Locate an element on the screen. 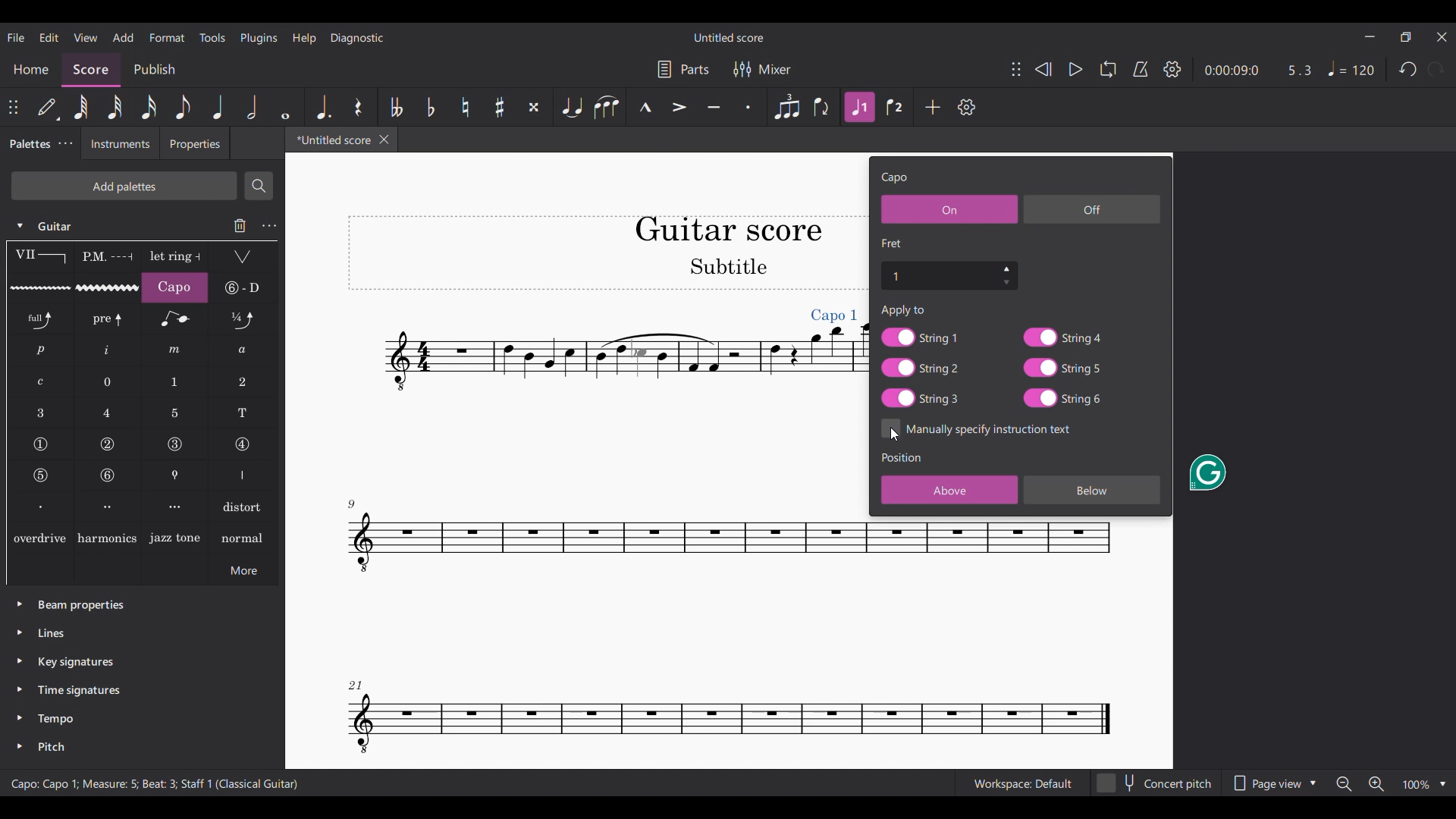 The image size is (1456, 819). Add is located at coordinates (933, 106).